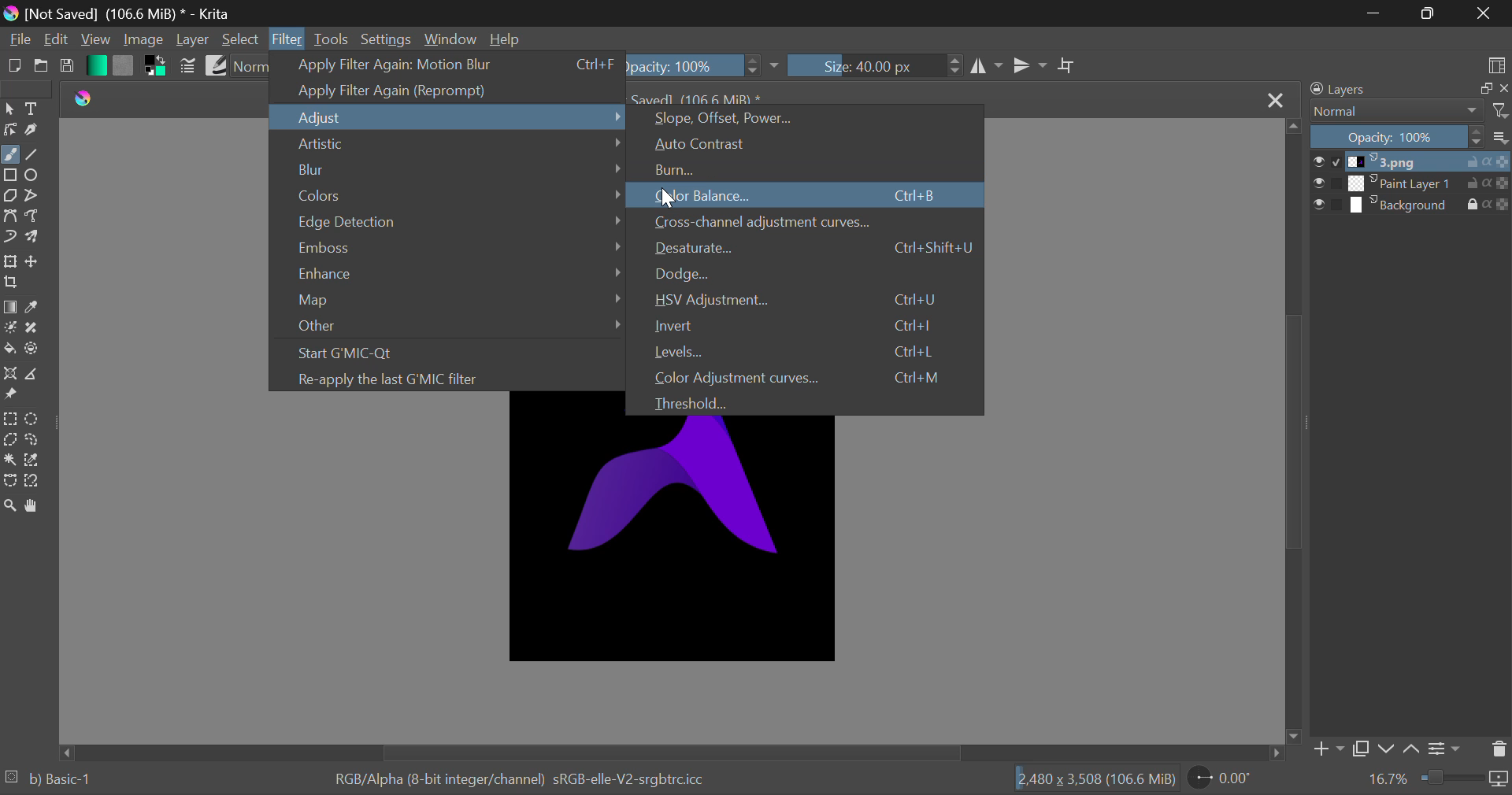 The width and height of the screenshot is (1512, 795). I want to click on [Not Saved] (106.6 MiB) * - Krita, so click(135, 11).